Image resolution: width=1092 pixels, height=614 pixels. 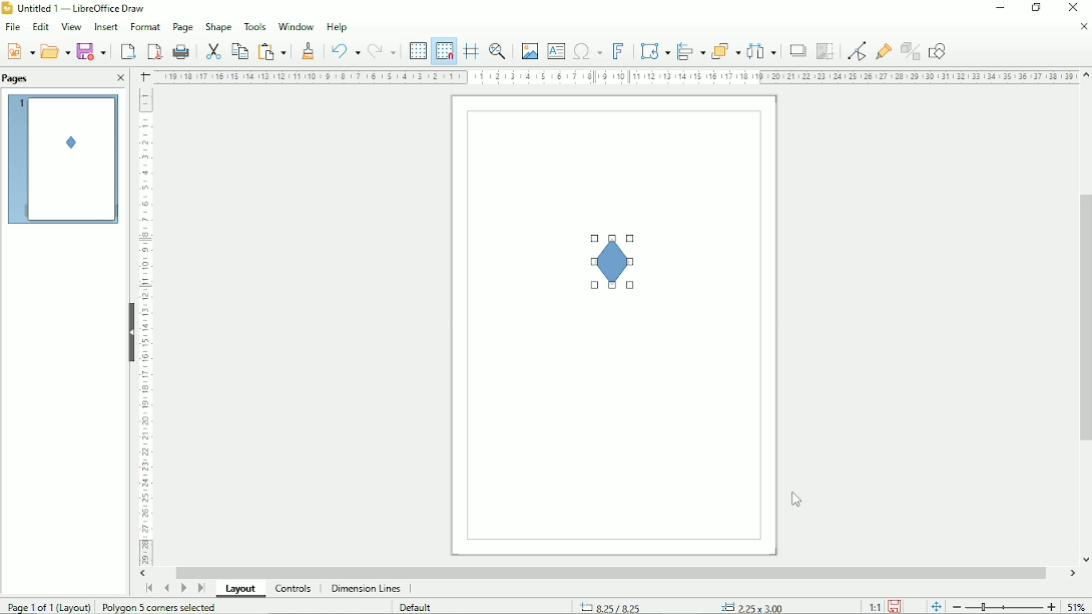 I want to click on Hide, so click(x=130, y=329).